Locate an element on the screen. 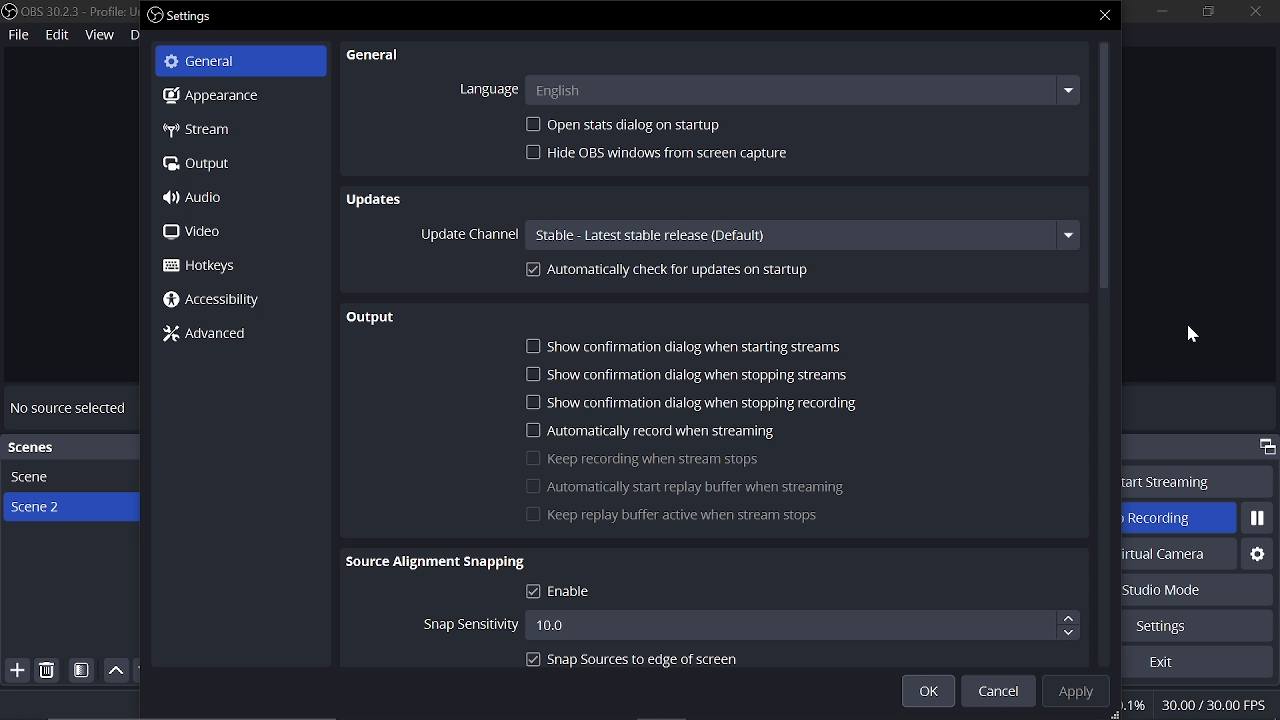 The height and width of the screenshot is (720, 1280). show confirmation dialog when stopping recording is located at coordinates (697, 402).